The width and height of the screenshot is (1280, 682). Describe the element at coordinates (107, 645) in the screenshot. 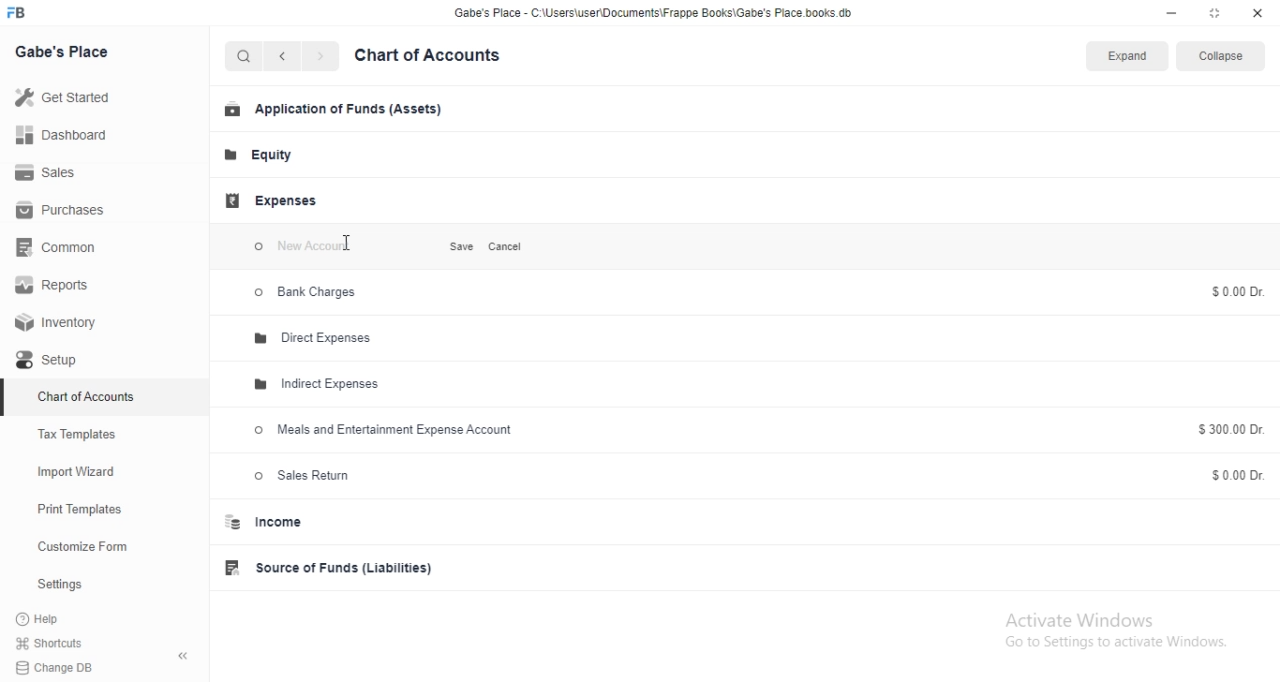

I see `Shortcuts` at that location.